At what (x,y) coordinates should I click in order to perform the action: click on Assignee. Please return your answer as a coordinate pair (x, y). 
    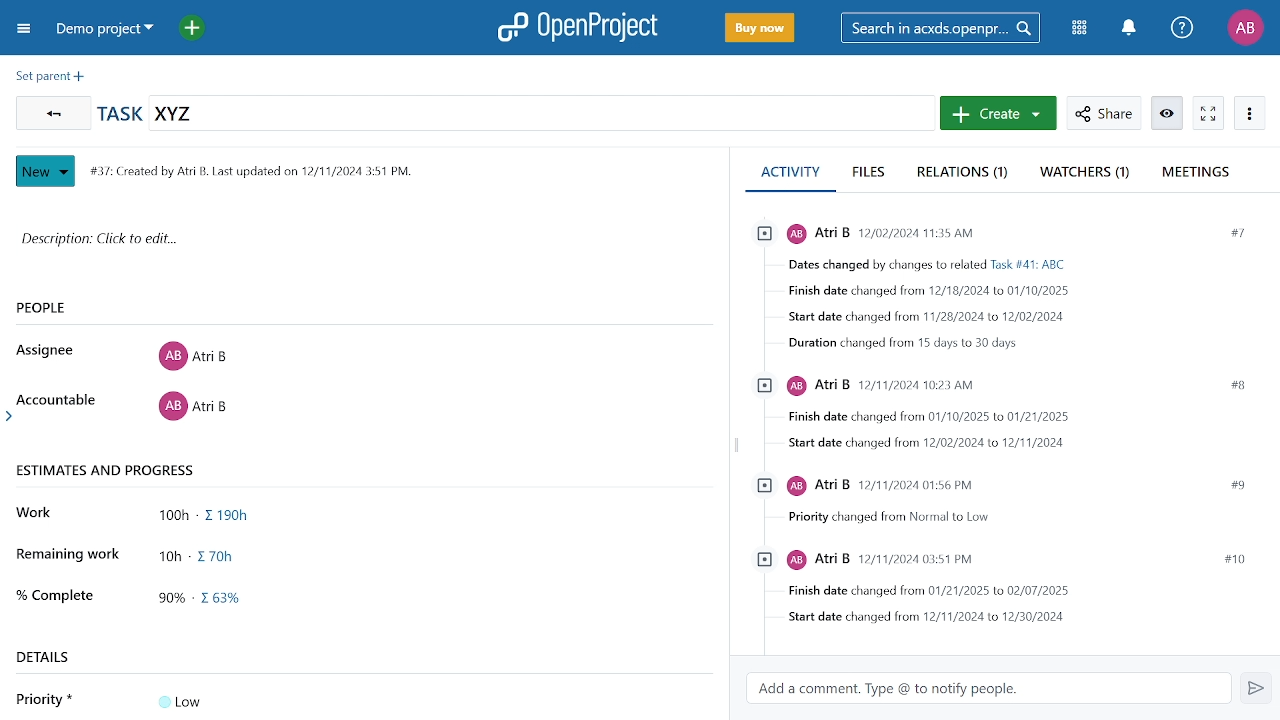
    Looking at the image, I should click on (47, 351).